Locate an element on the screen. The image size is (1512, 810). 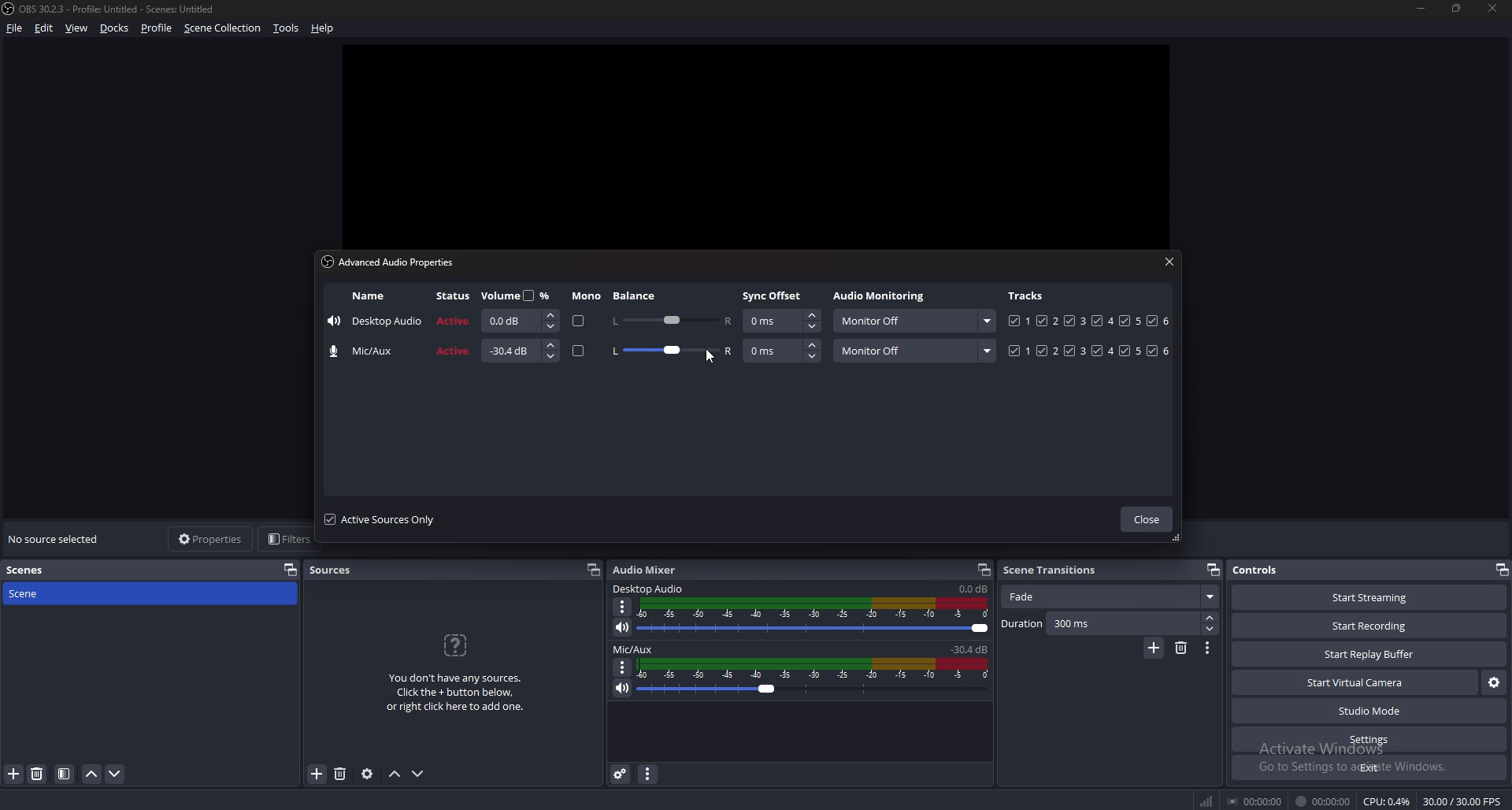
icon is located at coordinates (454, 645).